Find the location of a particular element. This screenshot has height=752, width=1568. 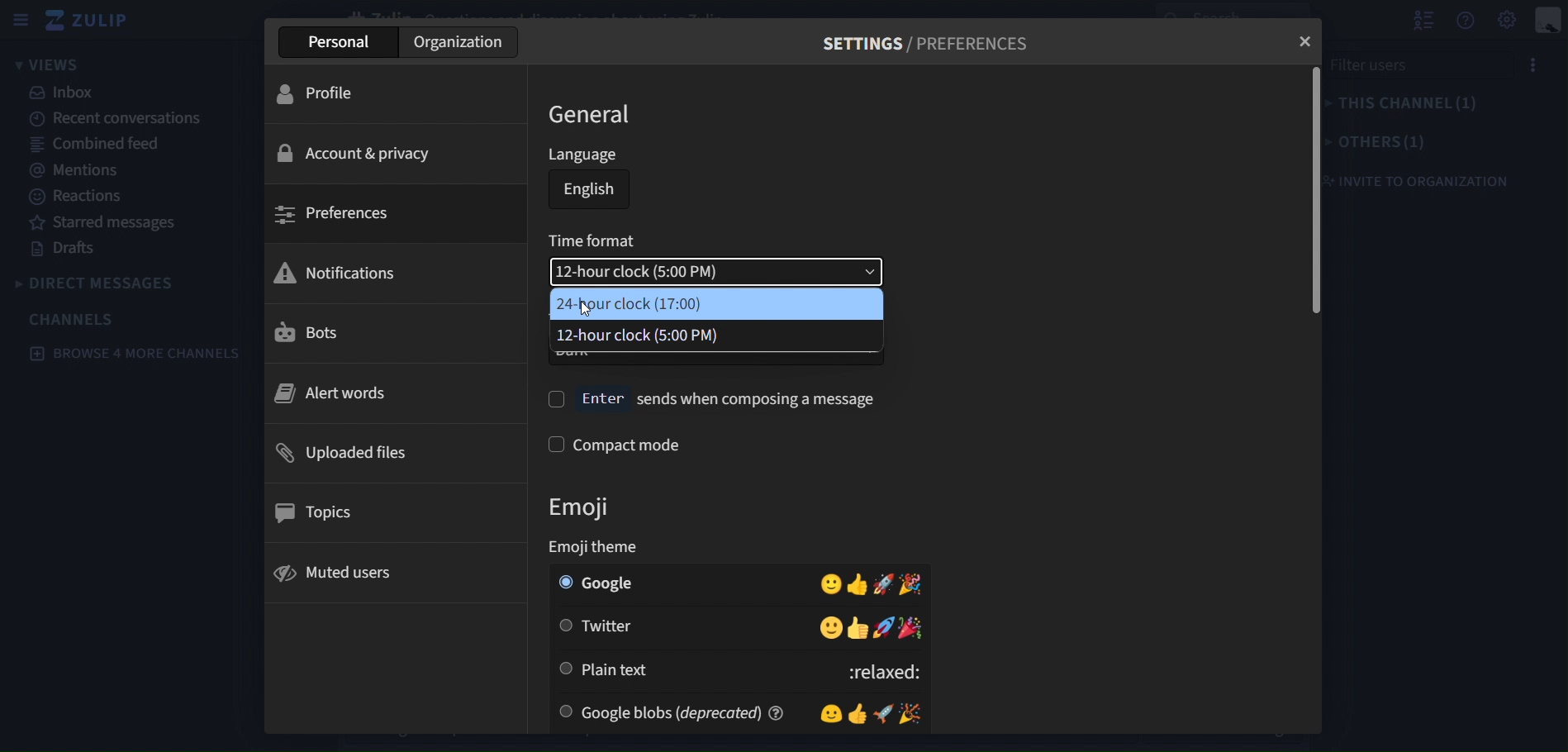

24-hour clock (17:00) is located at coordinates (719, 304).